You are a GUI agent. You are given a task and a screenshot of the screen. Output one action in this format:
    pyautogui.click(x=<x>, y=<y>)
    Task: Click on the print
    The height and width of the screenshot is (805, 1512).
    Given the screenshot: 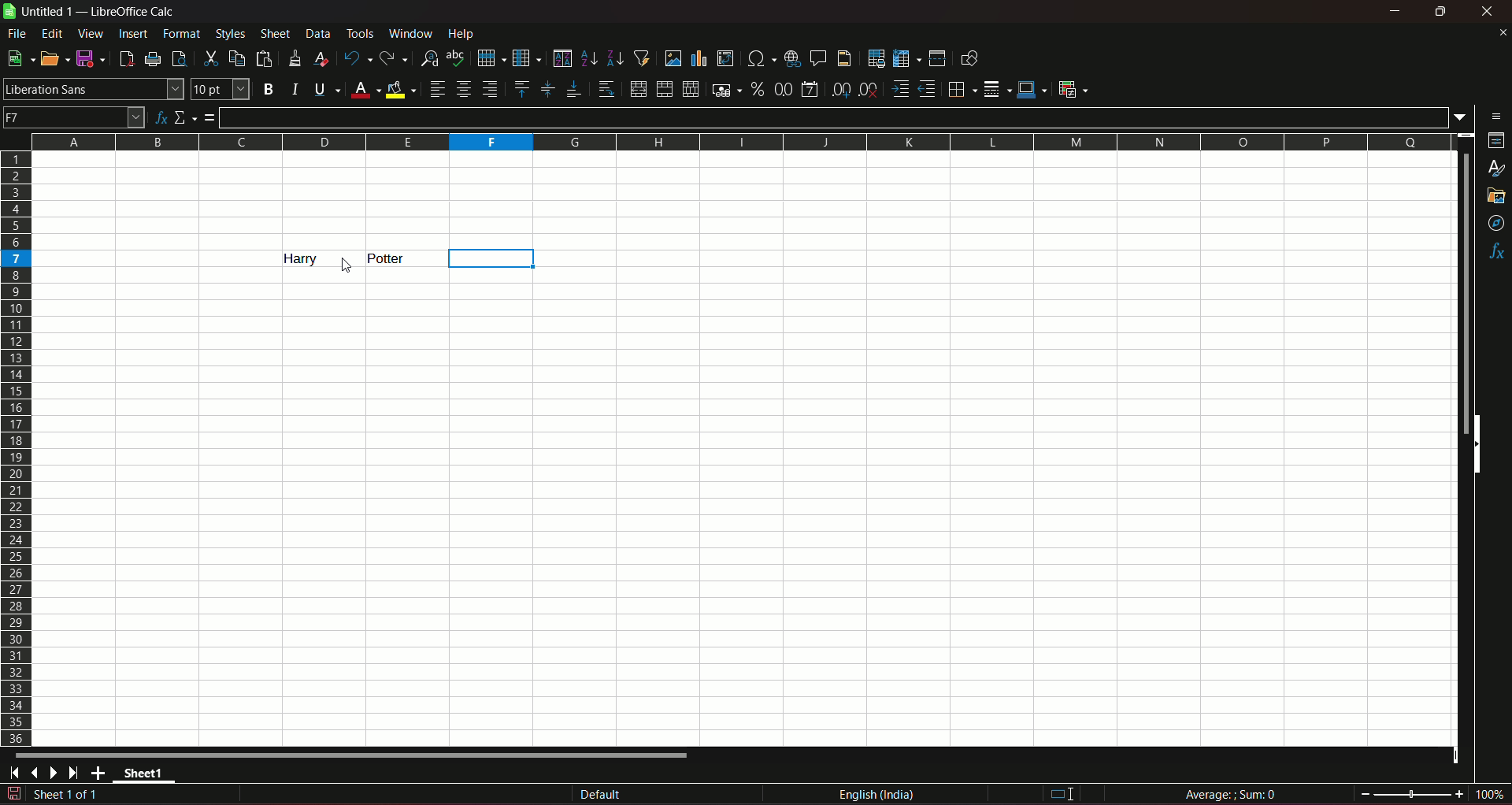 What is the action you would take?
    pyautogui.click(x=154, y=61)
    